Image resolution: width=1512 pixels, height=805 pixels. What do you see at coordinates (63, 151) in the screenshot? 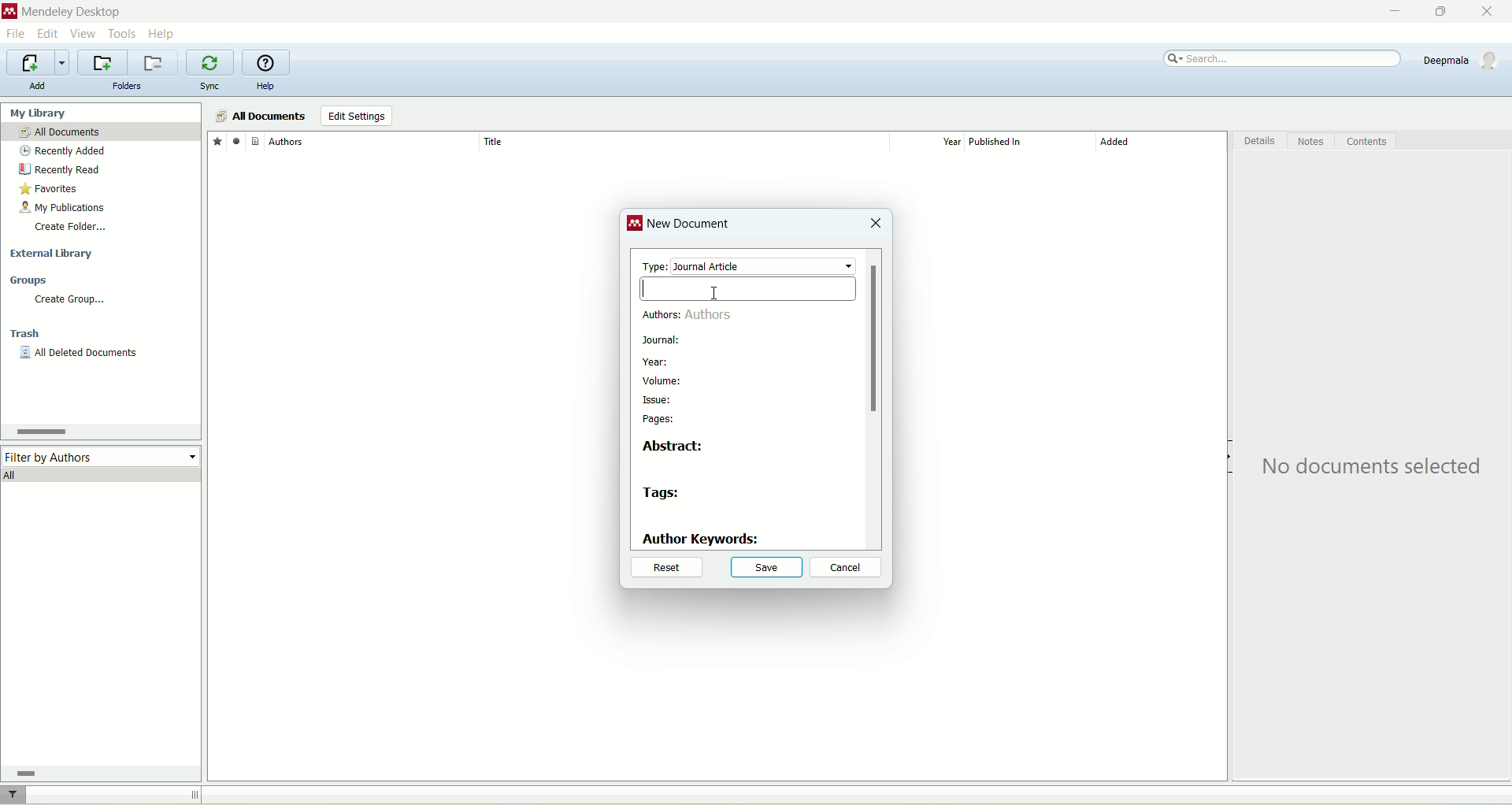
I see `recently added` at bounding box center [63, 151].